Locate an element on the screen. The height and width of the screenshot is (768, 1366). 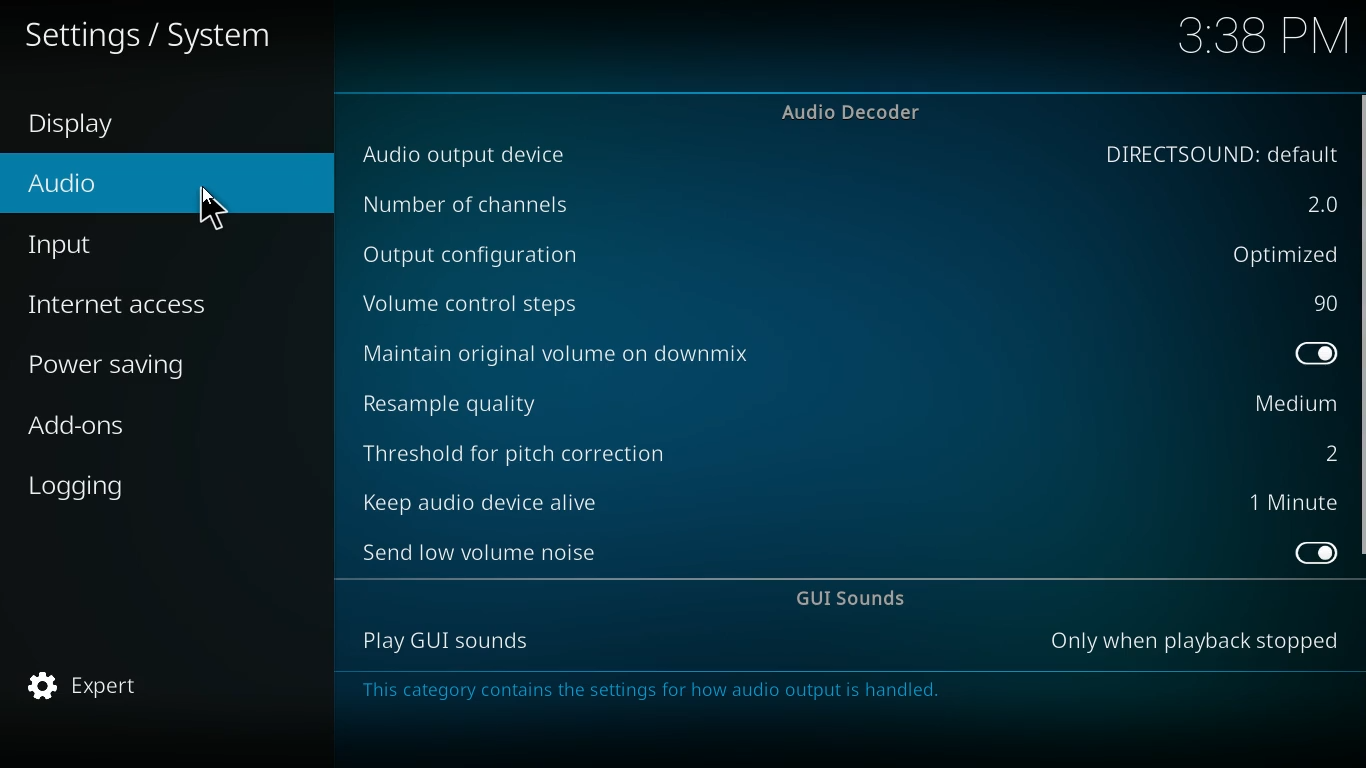
3:38 pm is located at coordinates (1268, 42).